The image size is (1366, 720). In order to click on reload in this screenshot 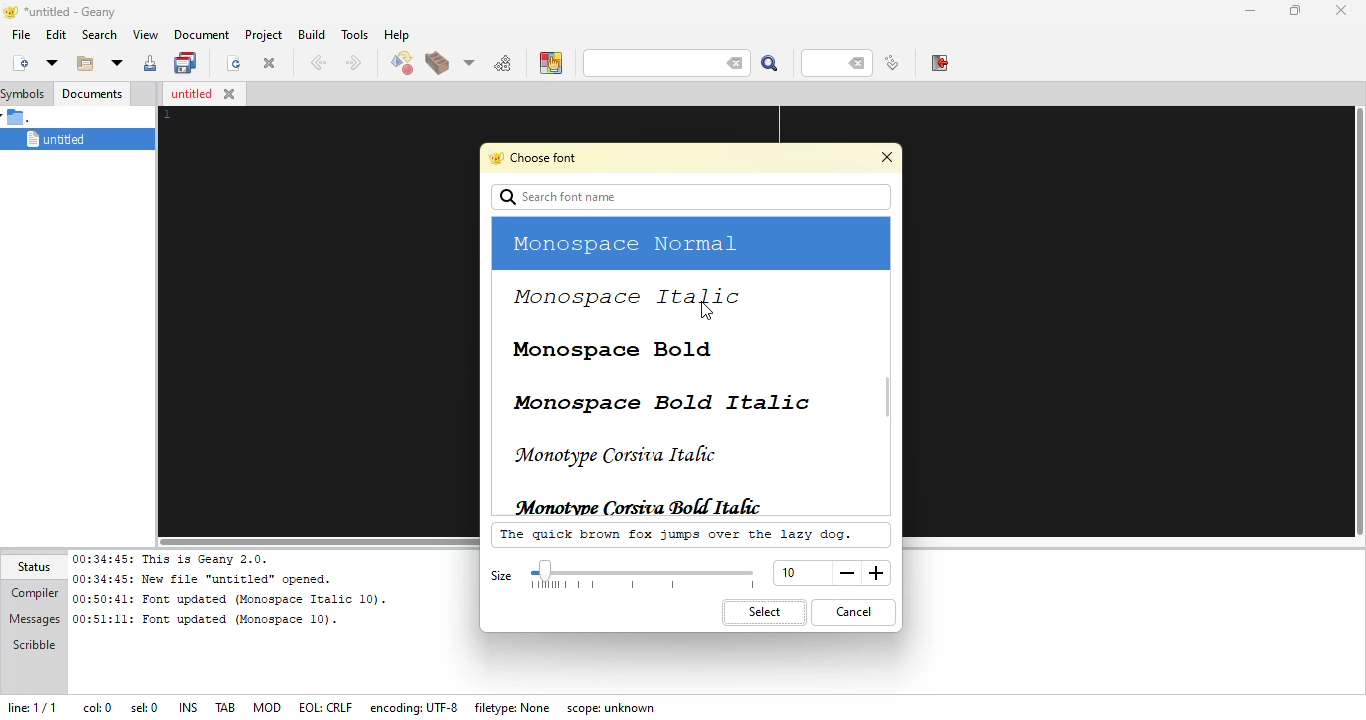, I will do `click(230, 63)`.